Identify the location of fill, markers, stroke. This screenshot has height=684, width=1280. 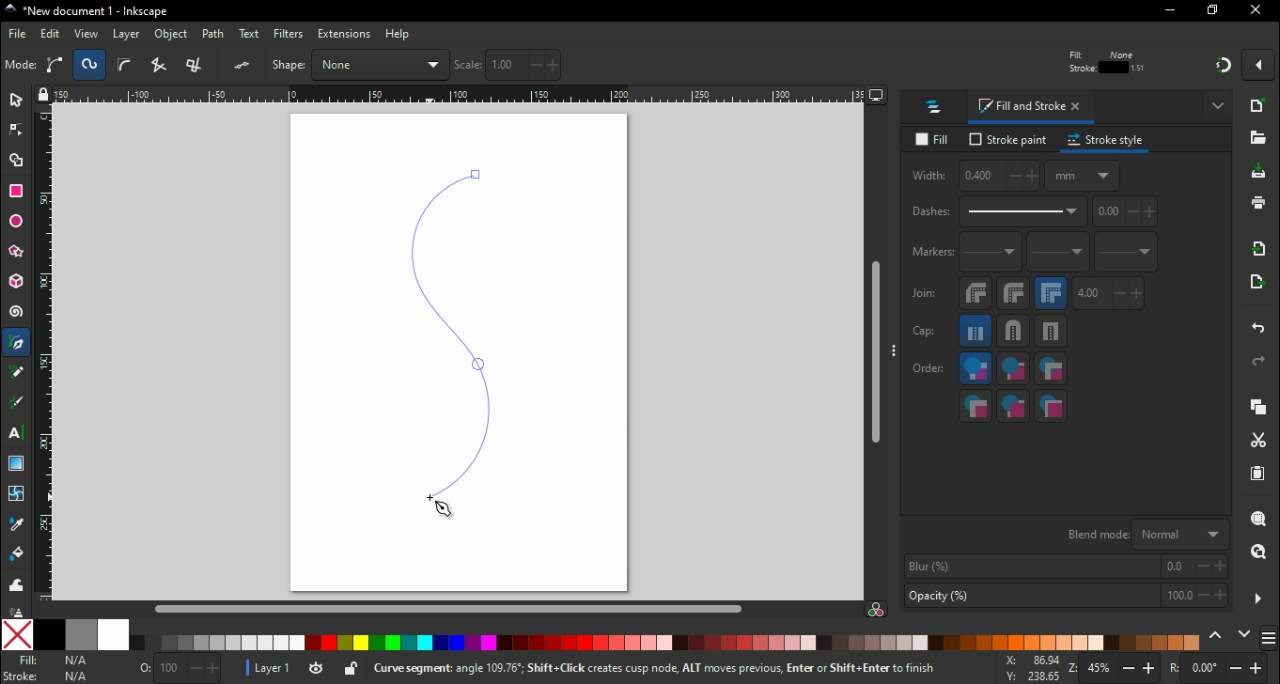
(1051, 371).